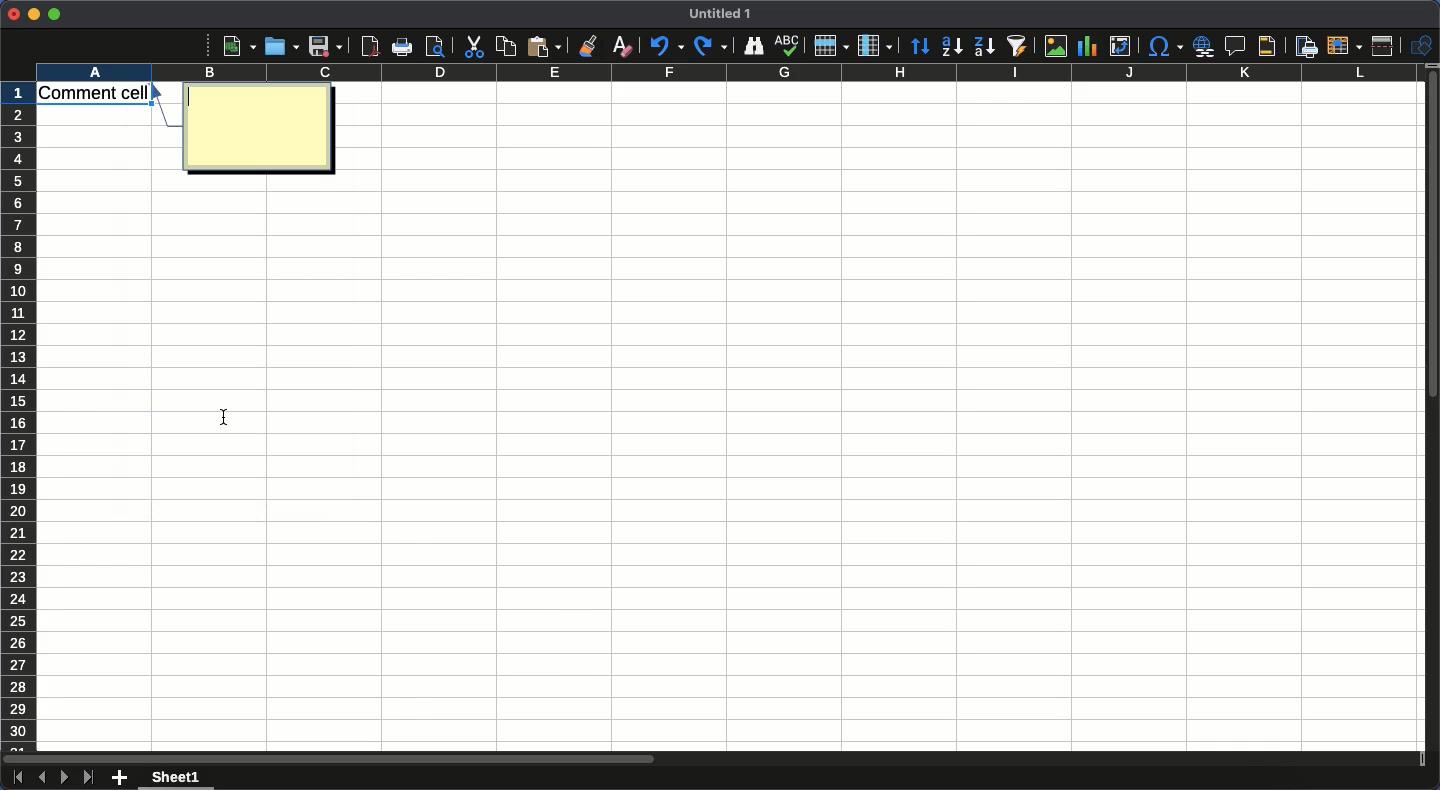  What do you see at coordinates (179, 778) in the screenshot?
I see `Sheet 1` at bounding box center [179, 778].